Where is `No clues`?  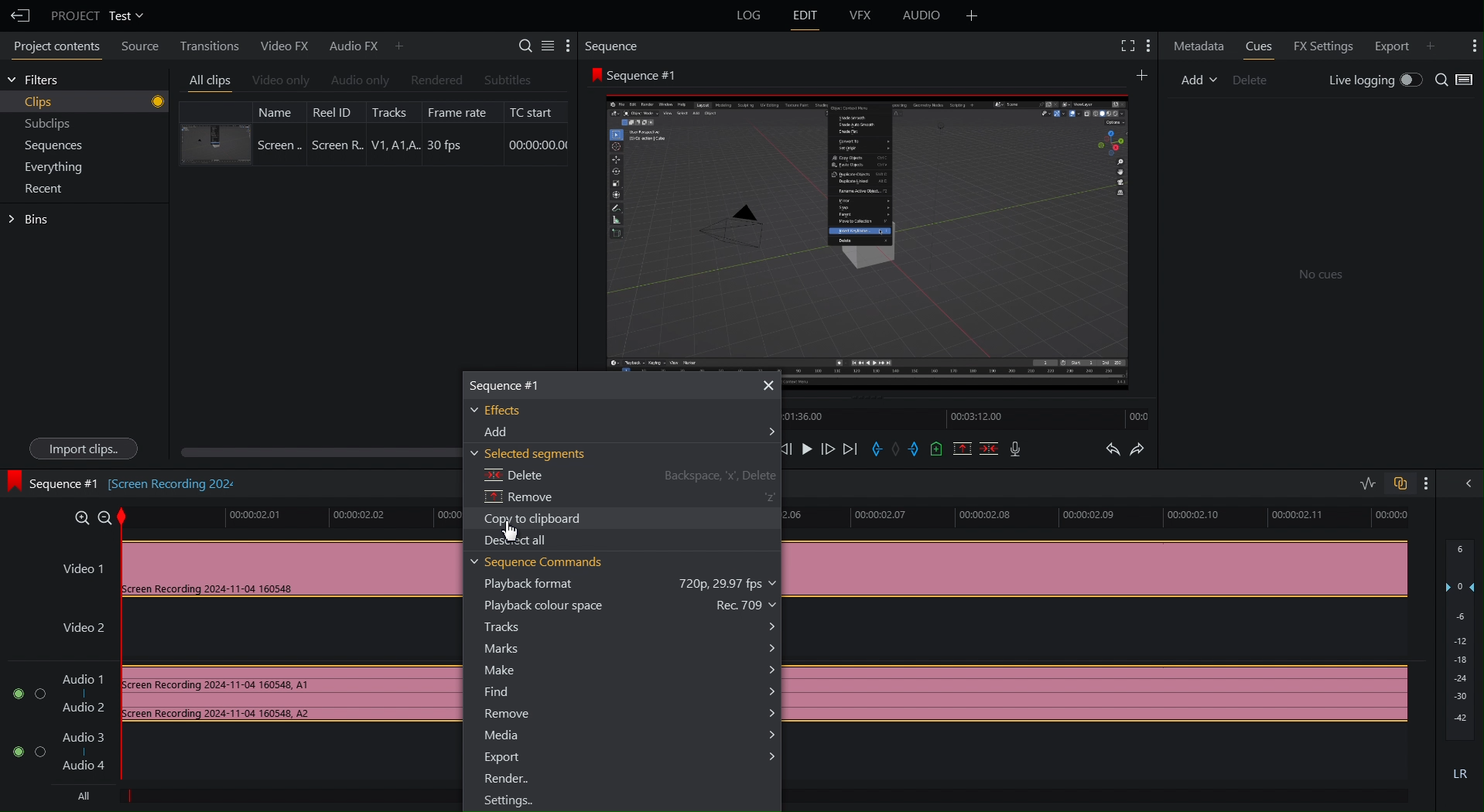
No clues is located at coordinates (1324, 274).